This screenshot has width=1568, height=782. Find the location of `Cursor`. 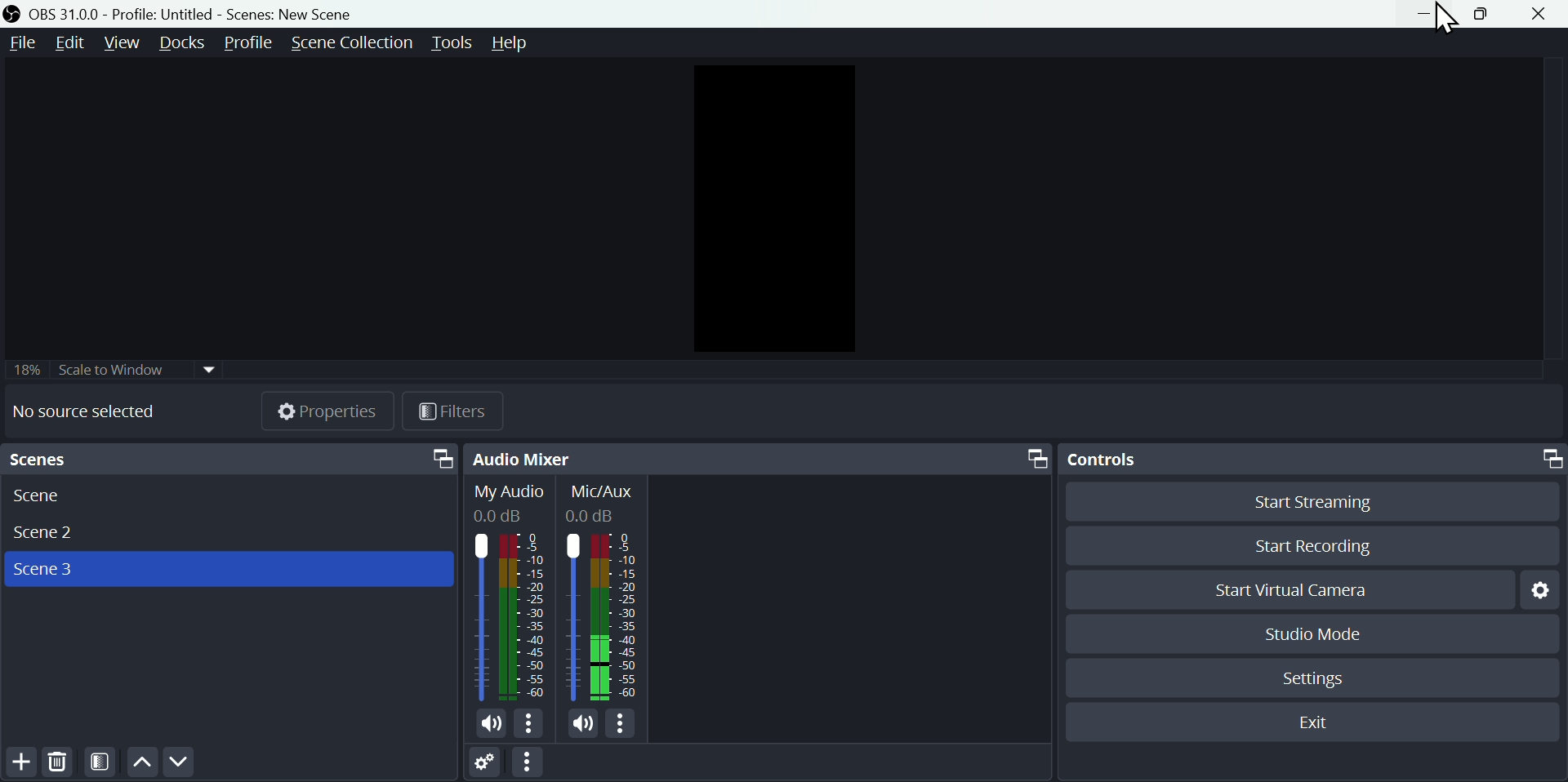

Cursor is located at coordinates (131, 70).